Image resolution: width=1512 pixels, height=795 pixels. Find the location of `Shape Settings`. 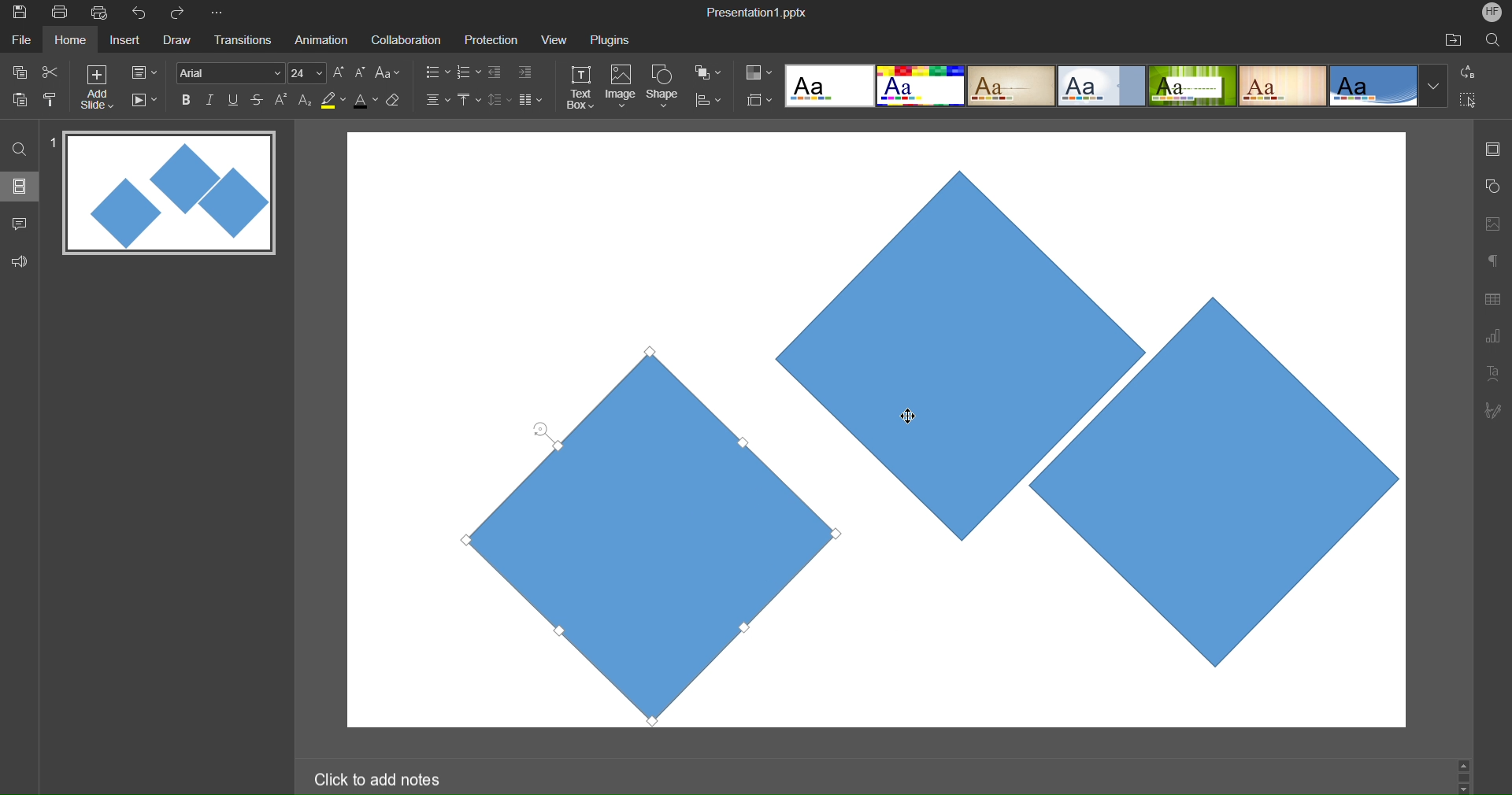

Shape Settings is located at coordinates (1492, 187).